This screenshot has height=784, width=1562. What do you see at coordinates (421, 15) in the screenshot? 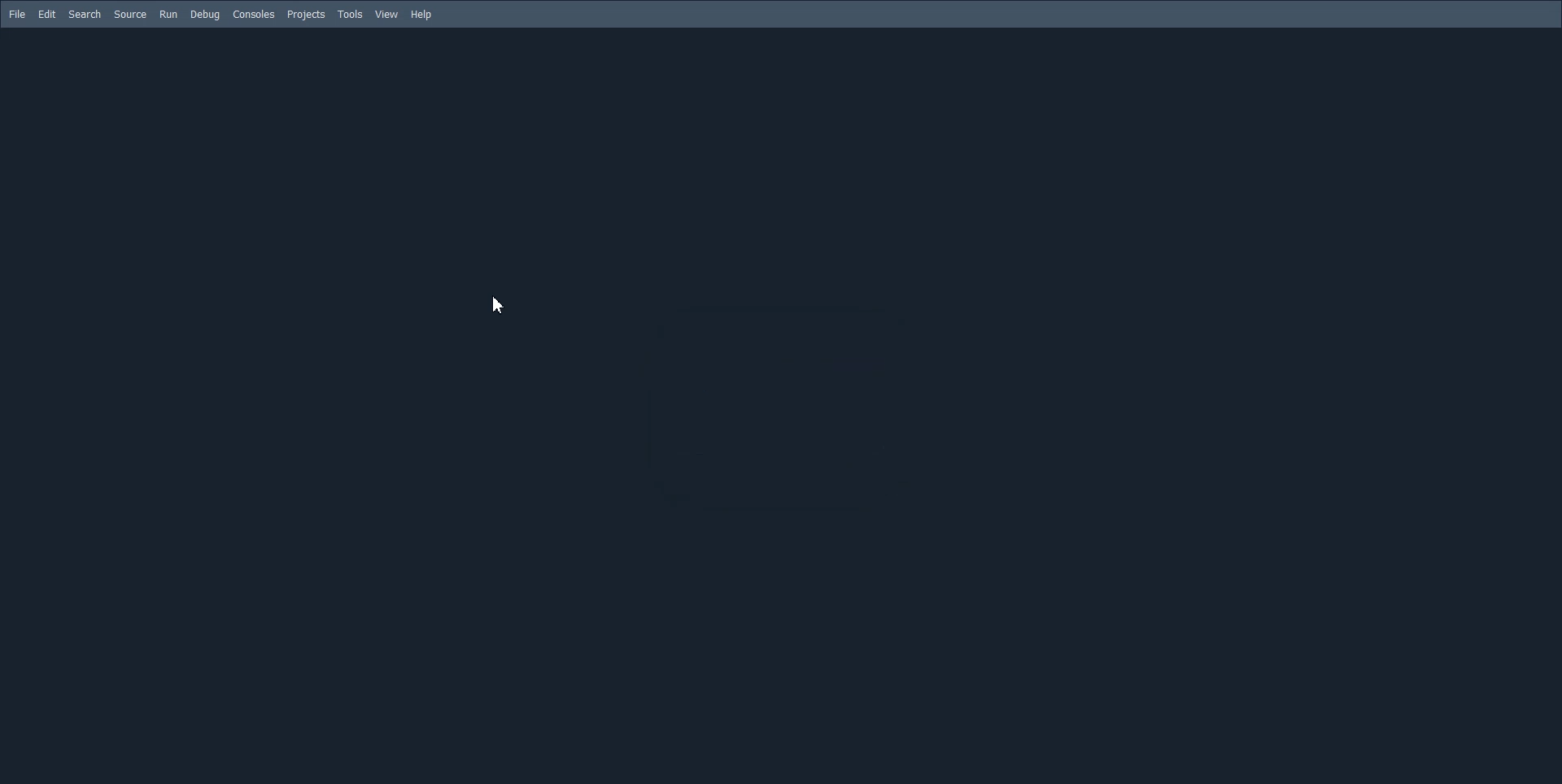
I see `Help` at bounding box center [421, 15].